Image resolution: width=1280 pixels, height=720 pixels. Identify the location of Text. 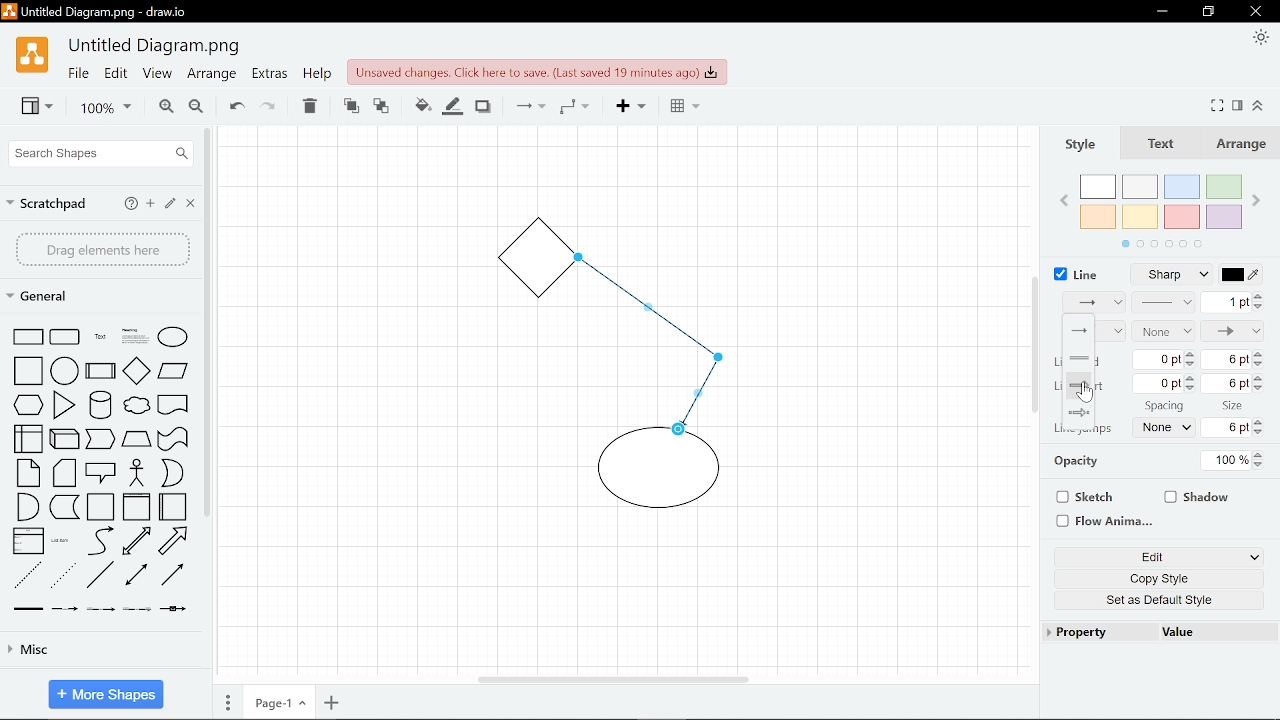
(1165, 146).